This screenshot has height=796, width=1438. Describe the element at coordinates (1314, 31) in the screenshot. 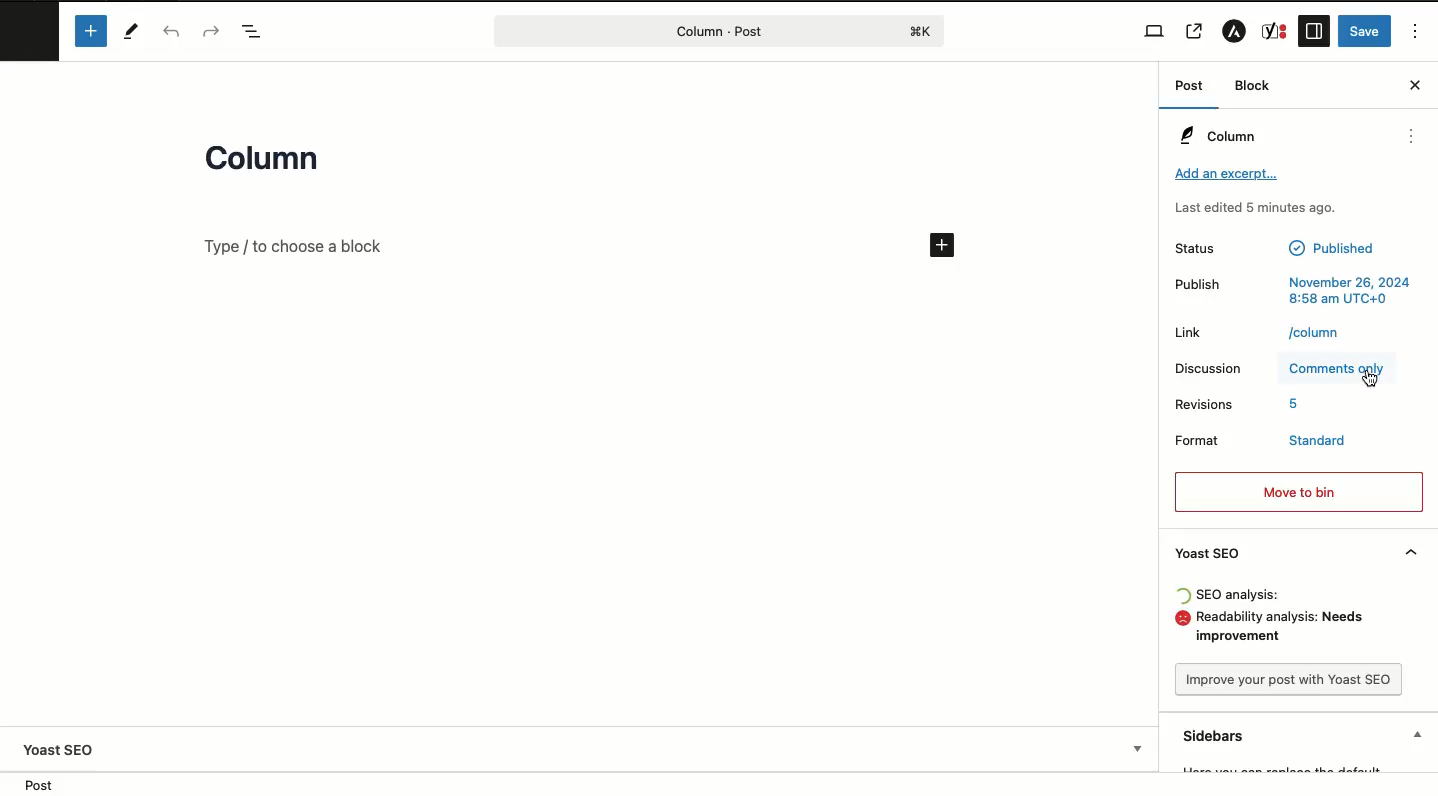

I see `Sidebar` at that location.